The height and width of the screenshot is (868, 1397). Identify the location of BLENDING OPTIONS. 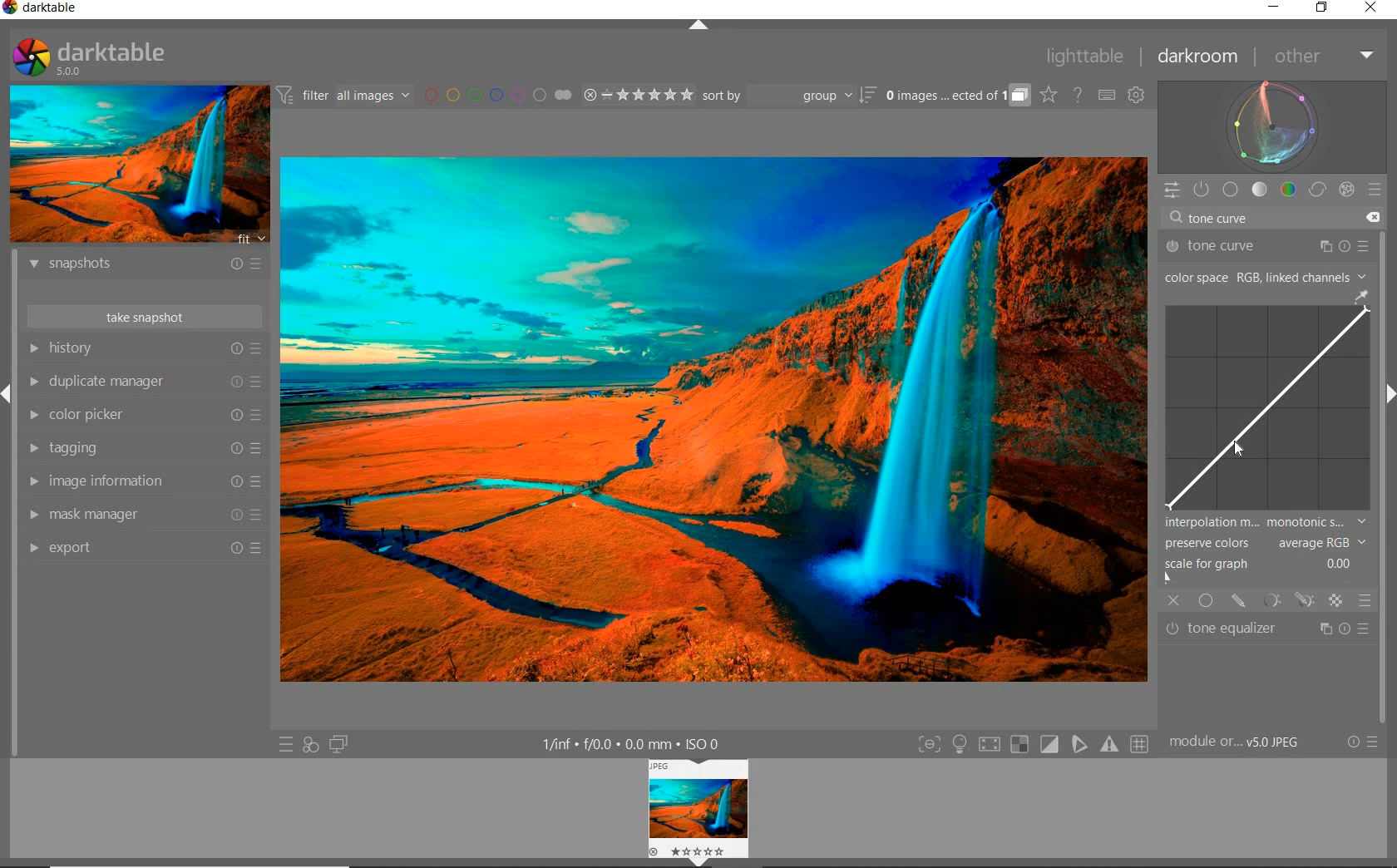
(1365, 601).